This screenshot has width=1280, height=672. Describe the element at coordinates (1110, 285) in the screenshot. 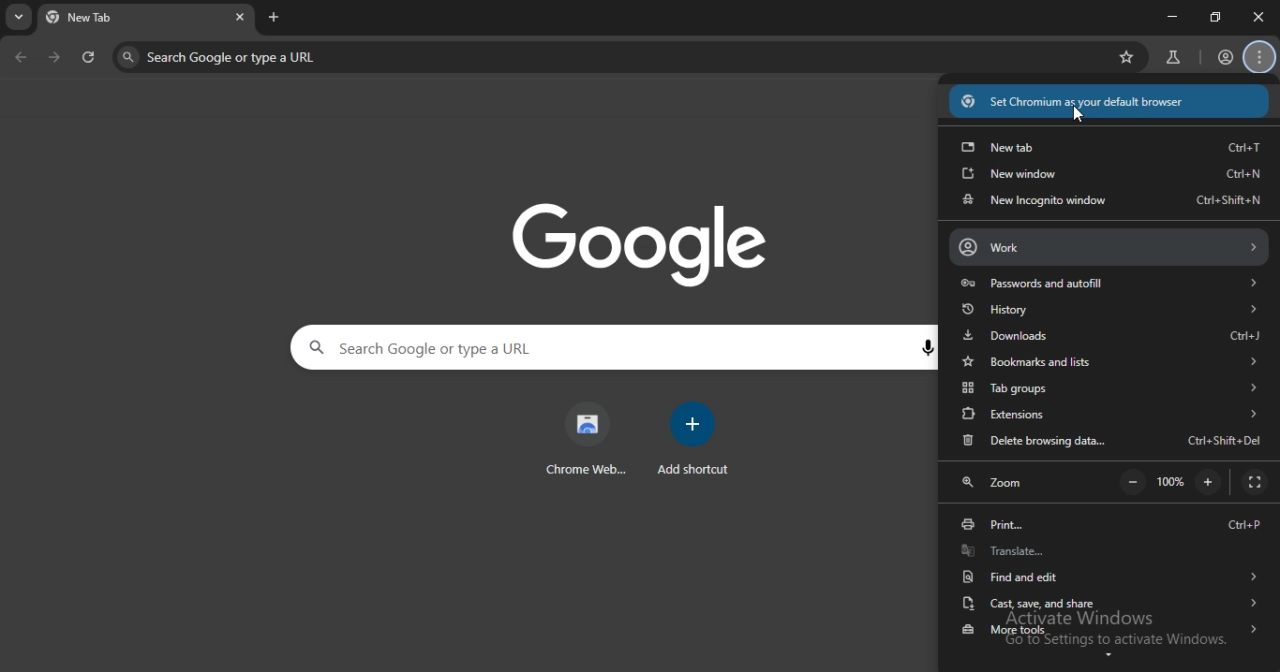

I see `passwords and autofill` at that location.